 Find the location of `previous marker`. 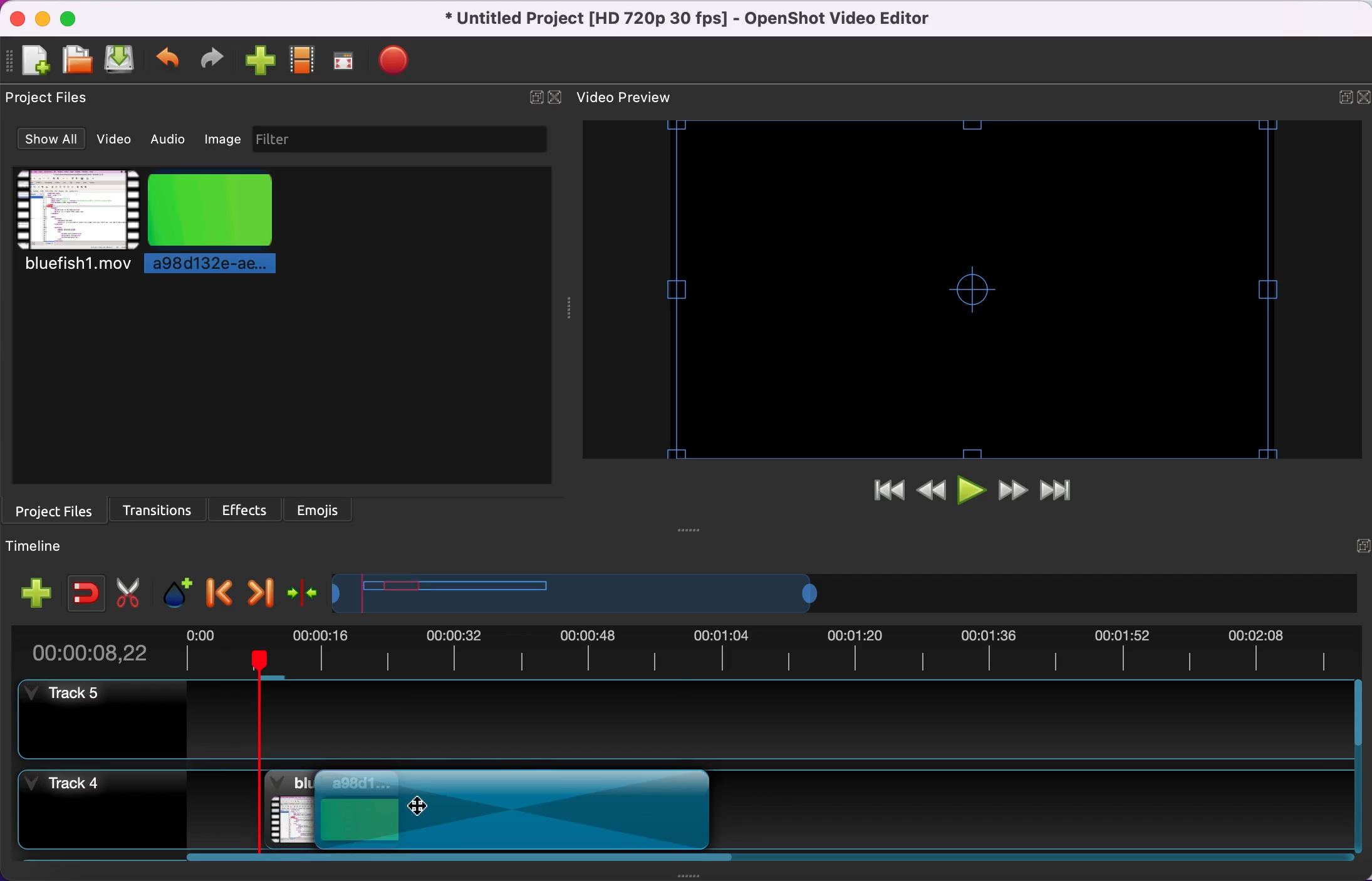

previous marker is located at coordinates (219, 591).